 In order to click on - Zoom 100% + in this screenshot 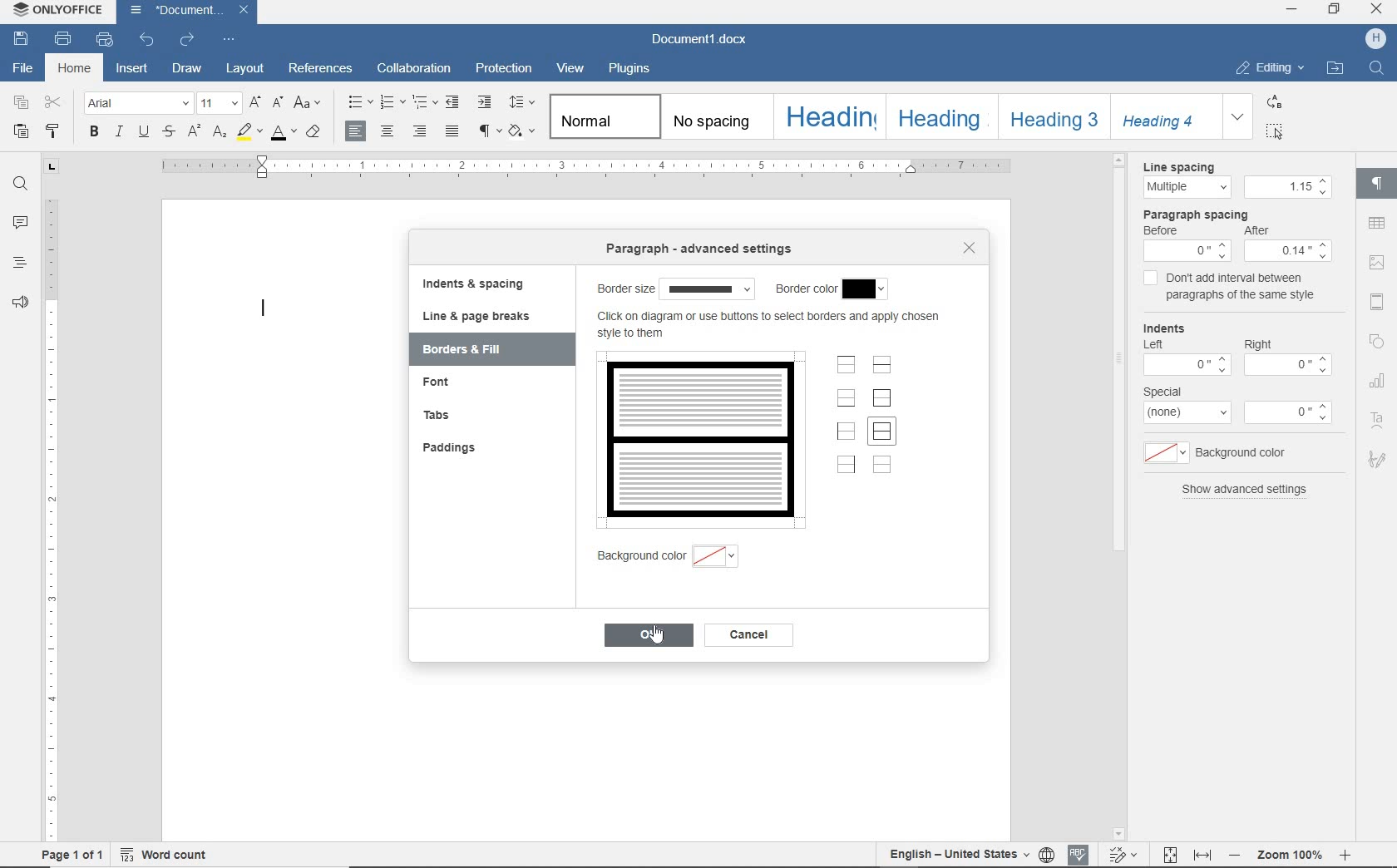, I will do `click(1291, 856)`.